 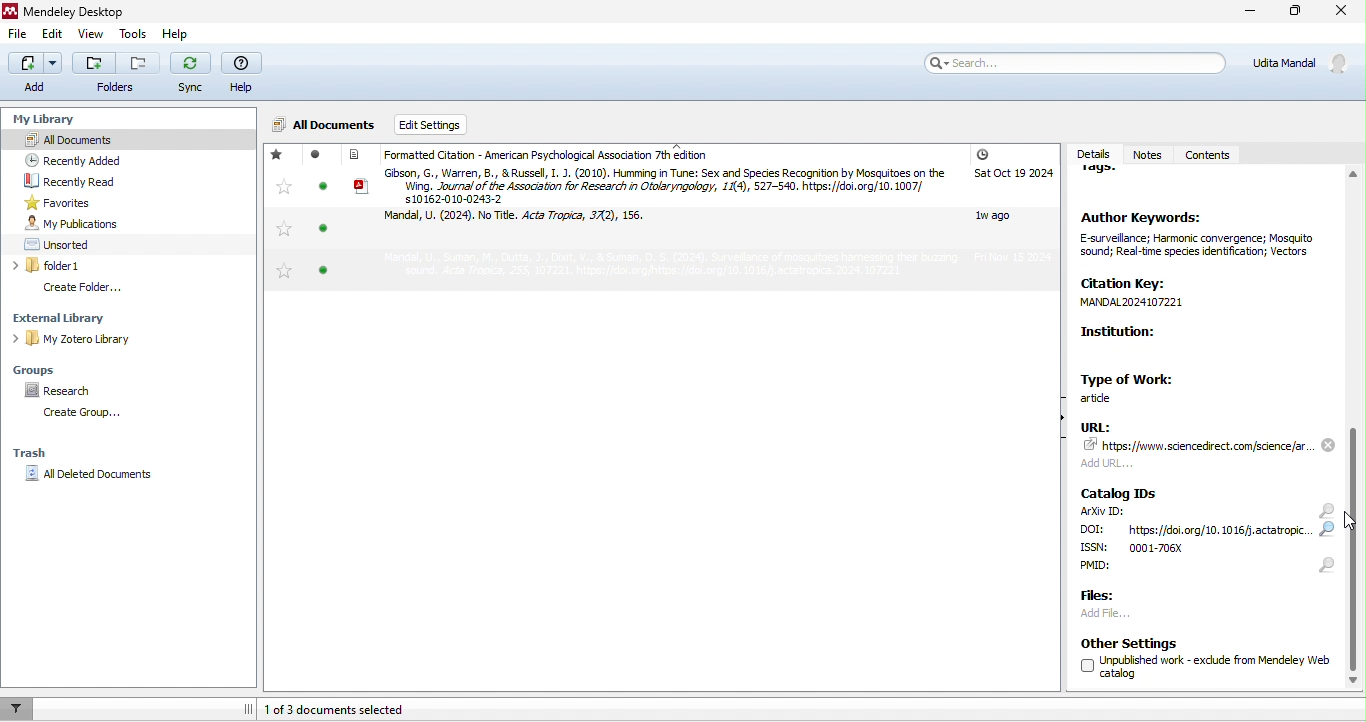 I want to click on sync, so click(x=191, y=75).